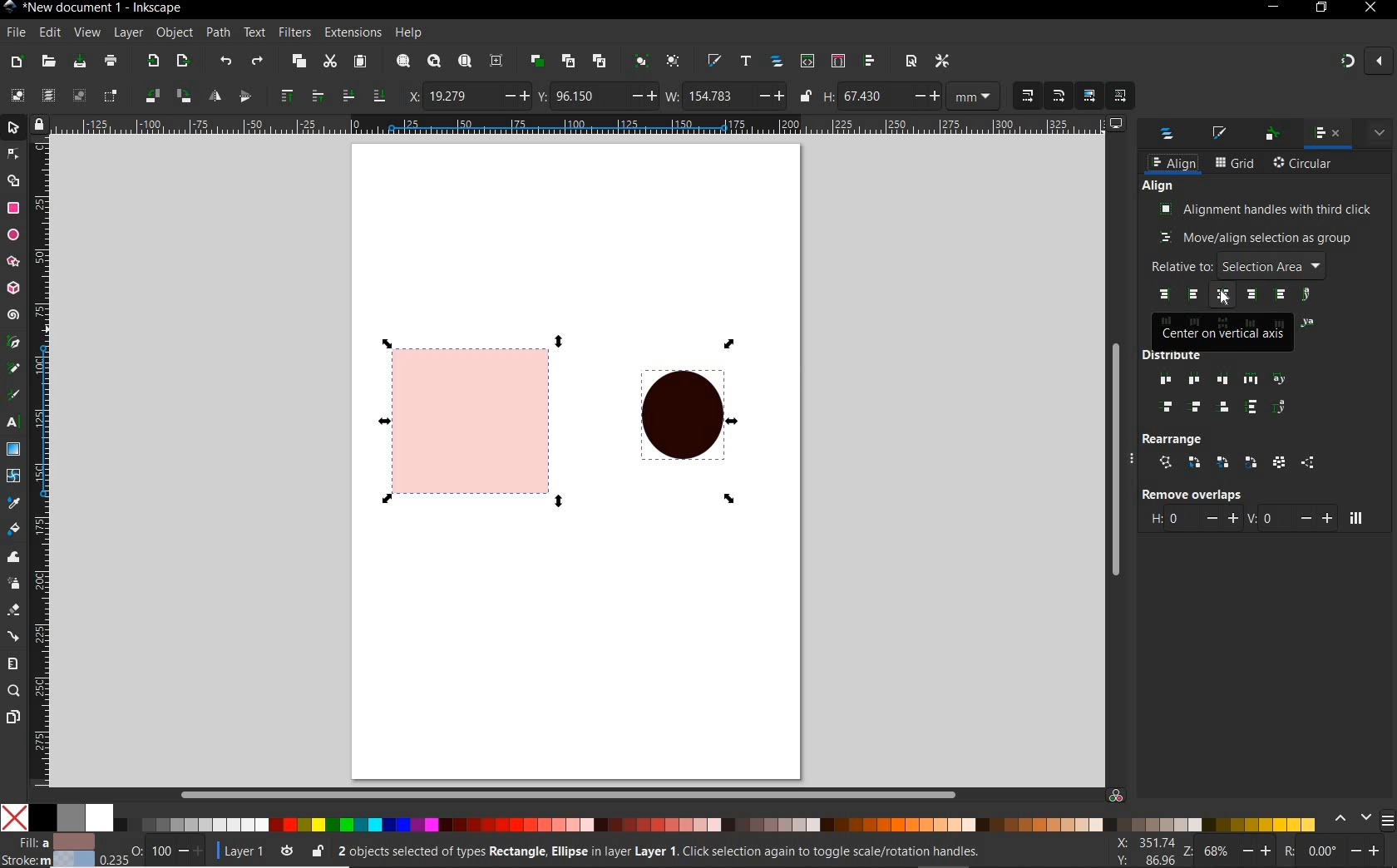  Describe the element at coordinates (1280, 407) in the screenshot. I see `DISTRIBUTE TEXT OBJECTS` at that location.